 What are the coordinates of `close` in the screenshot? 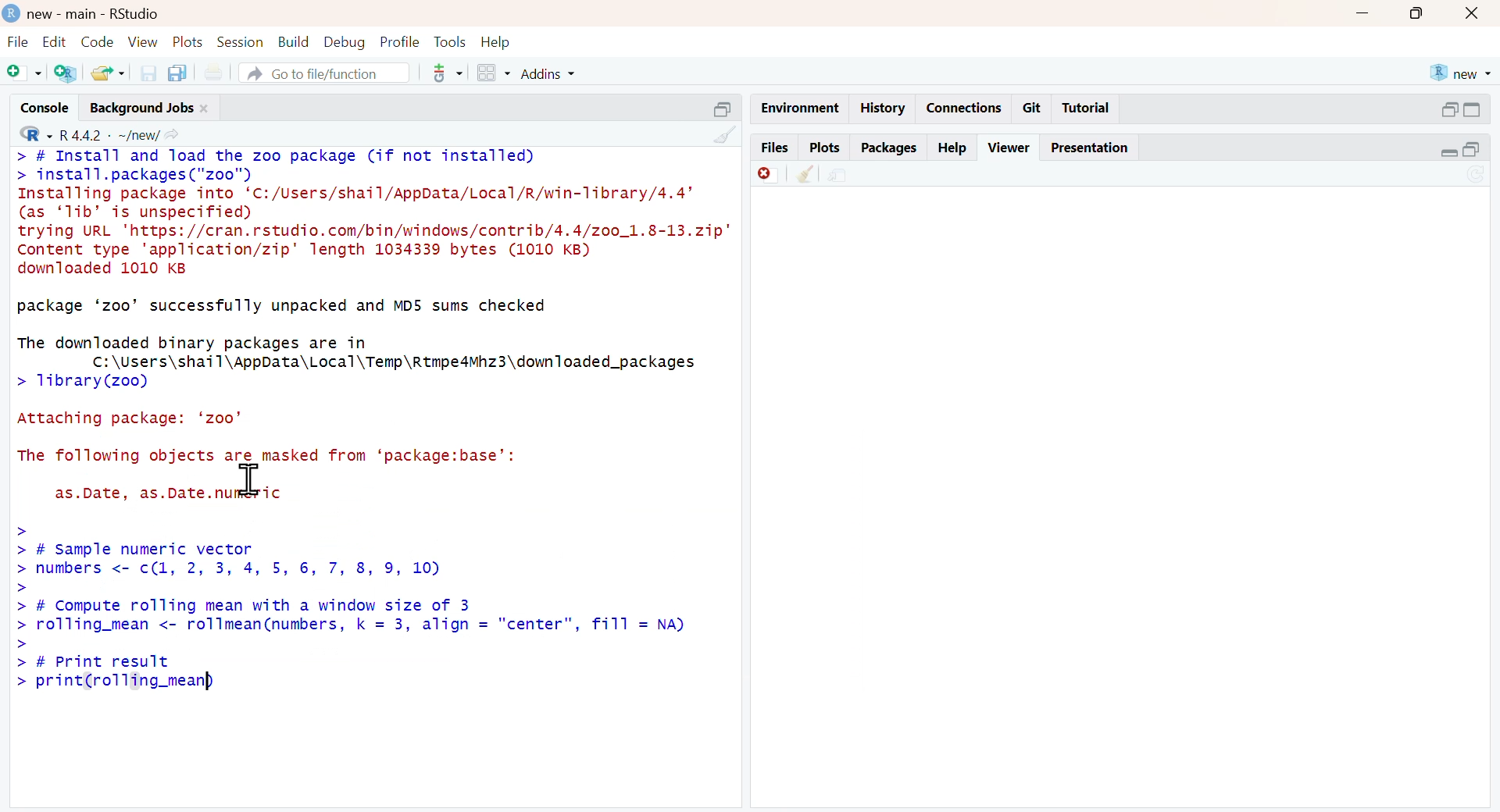 It's located at (1472, 13).